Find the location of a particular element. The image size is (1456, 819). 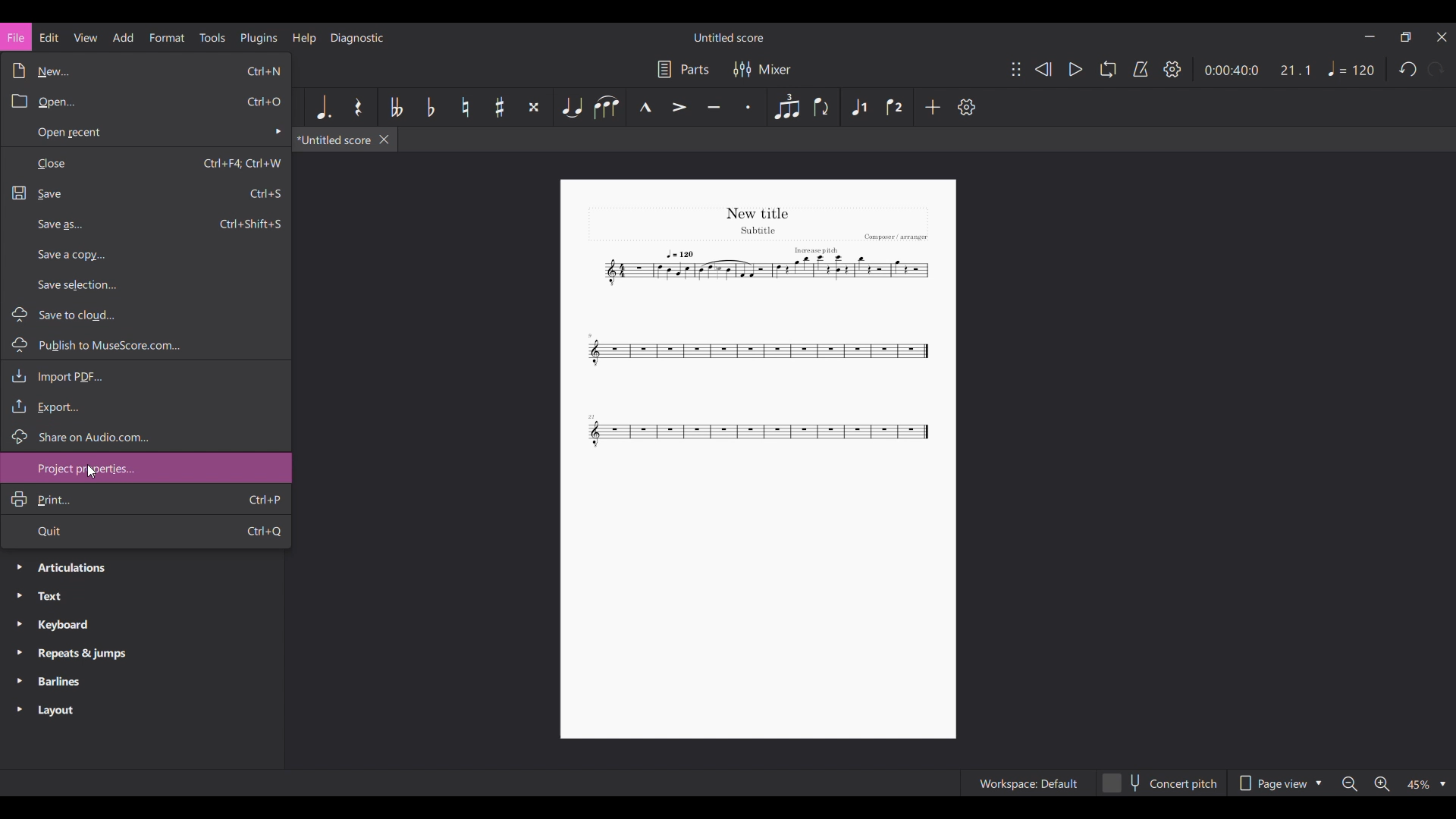

Rest is located at coordinates (359, 107).